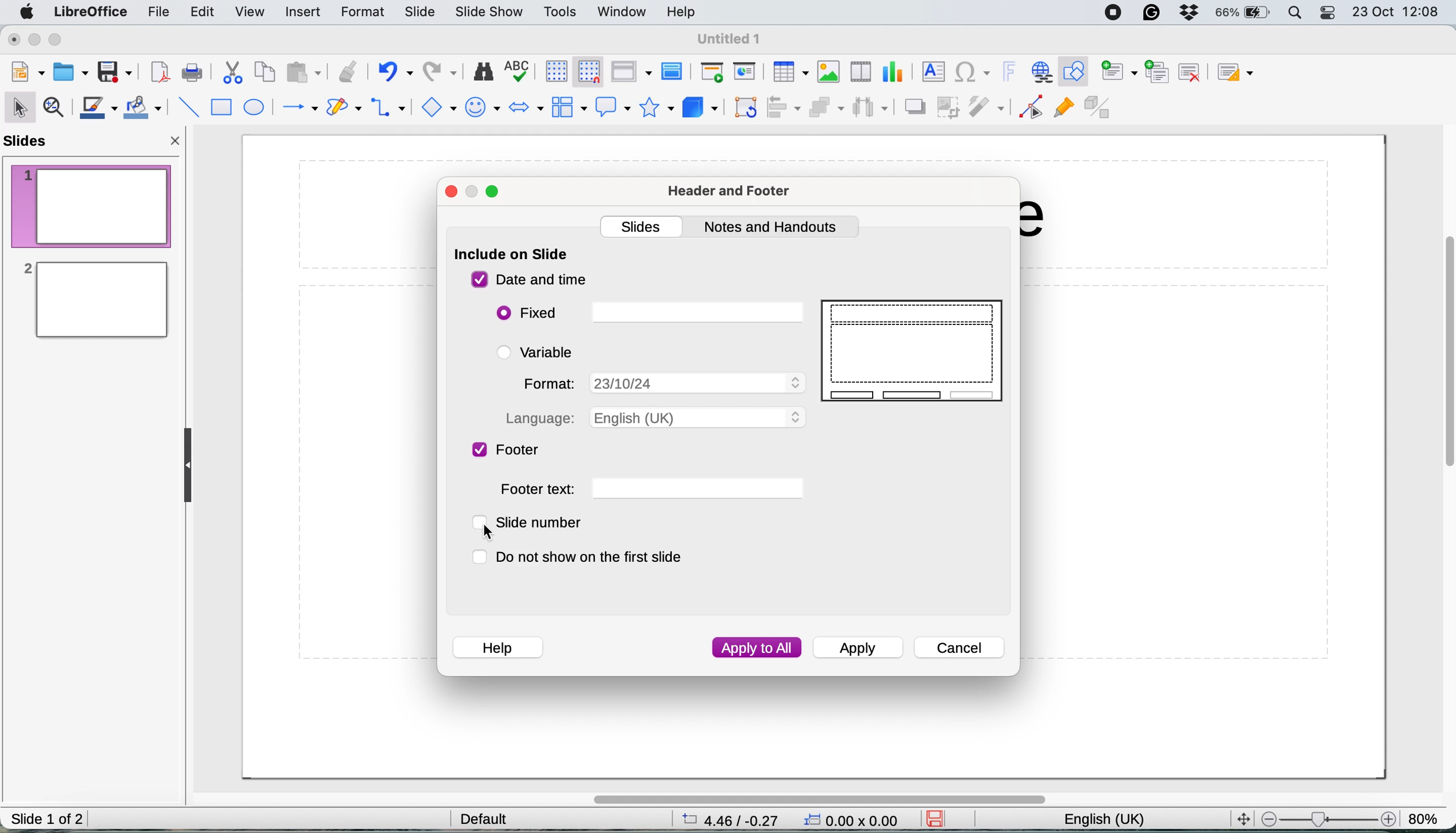  Describe the element at coordinates (561, 13) in the screenshot. I see `tools` at that location.